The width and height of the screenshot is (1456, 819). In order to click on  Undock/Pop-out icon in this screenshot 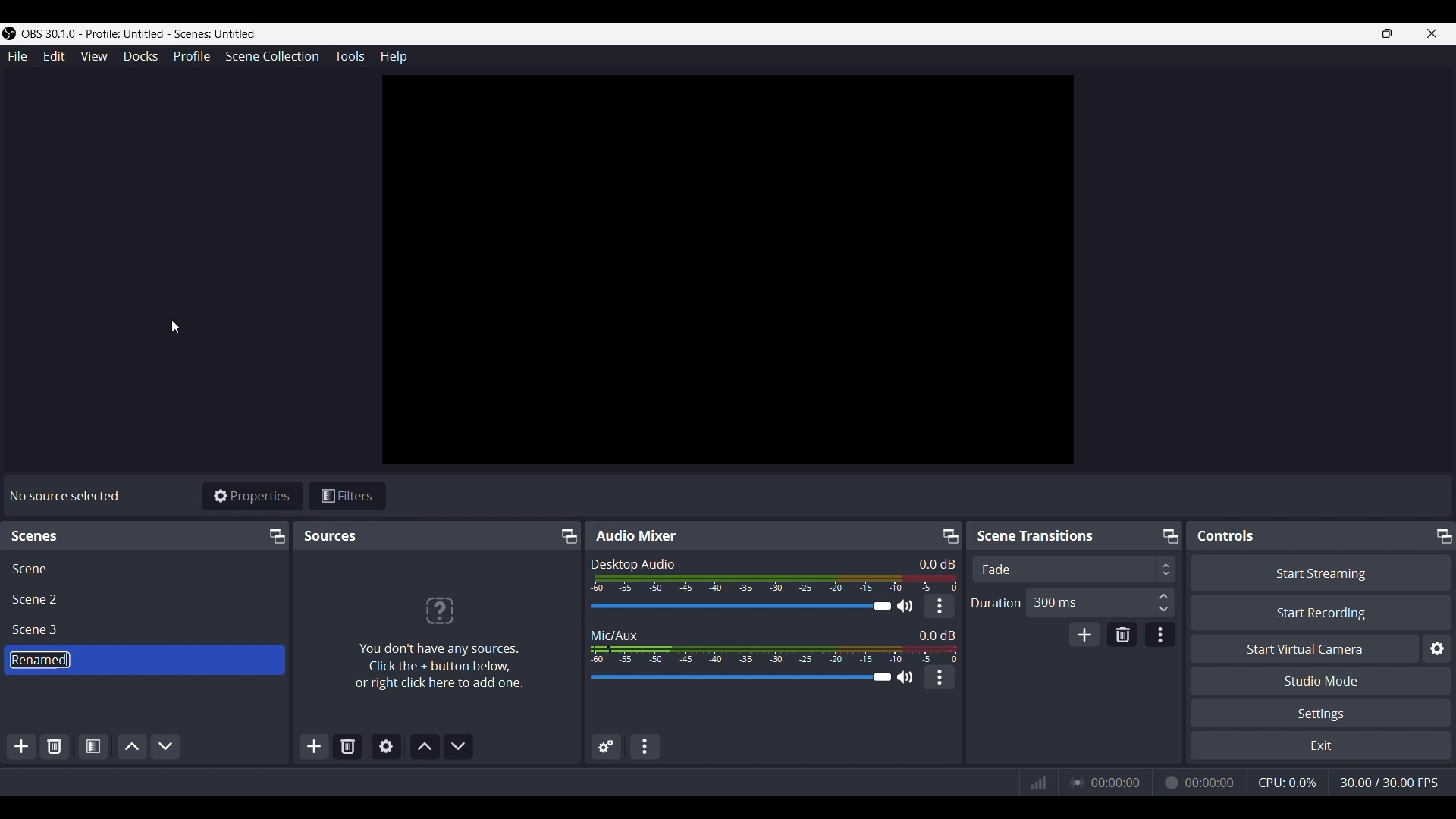, I will do `click(275, 535)`.